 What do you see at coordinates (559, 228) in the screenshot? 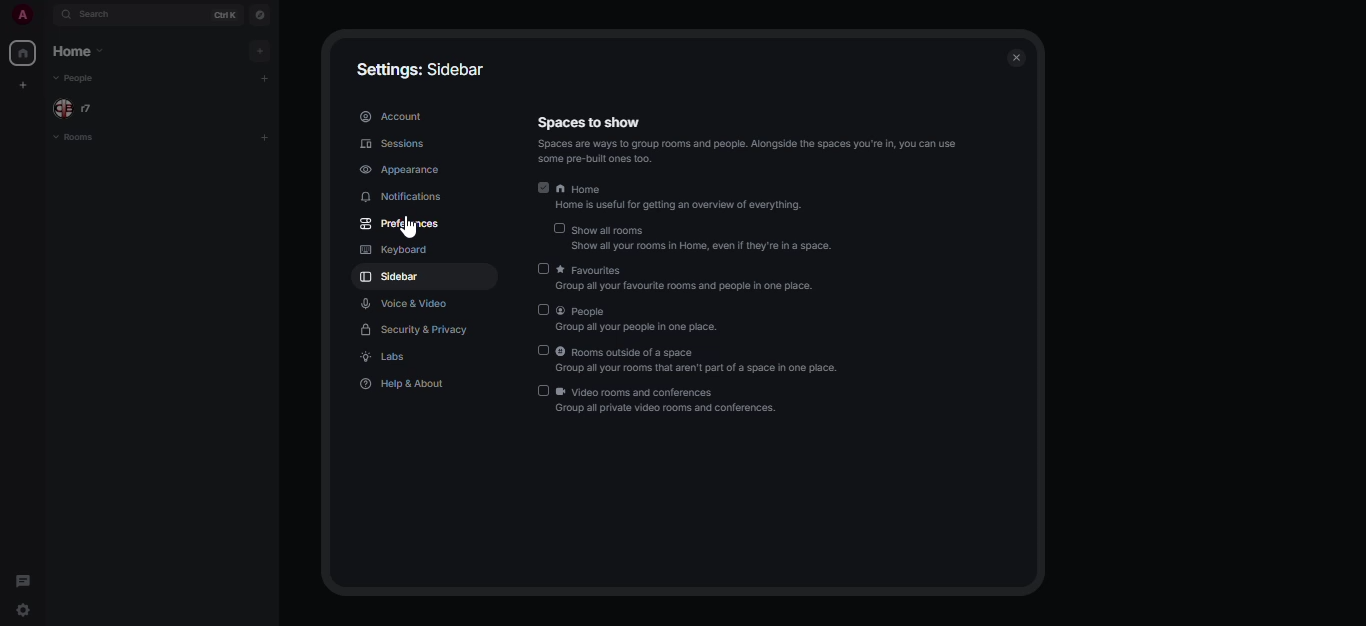
I see `disabled` at bounding box center [559, 228].